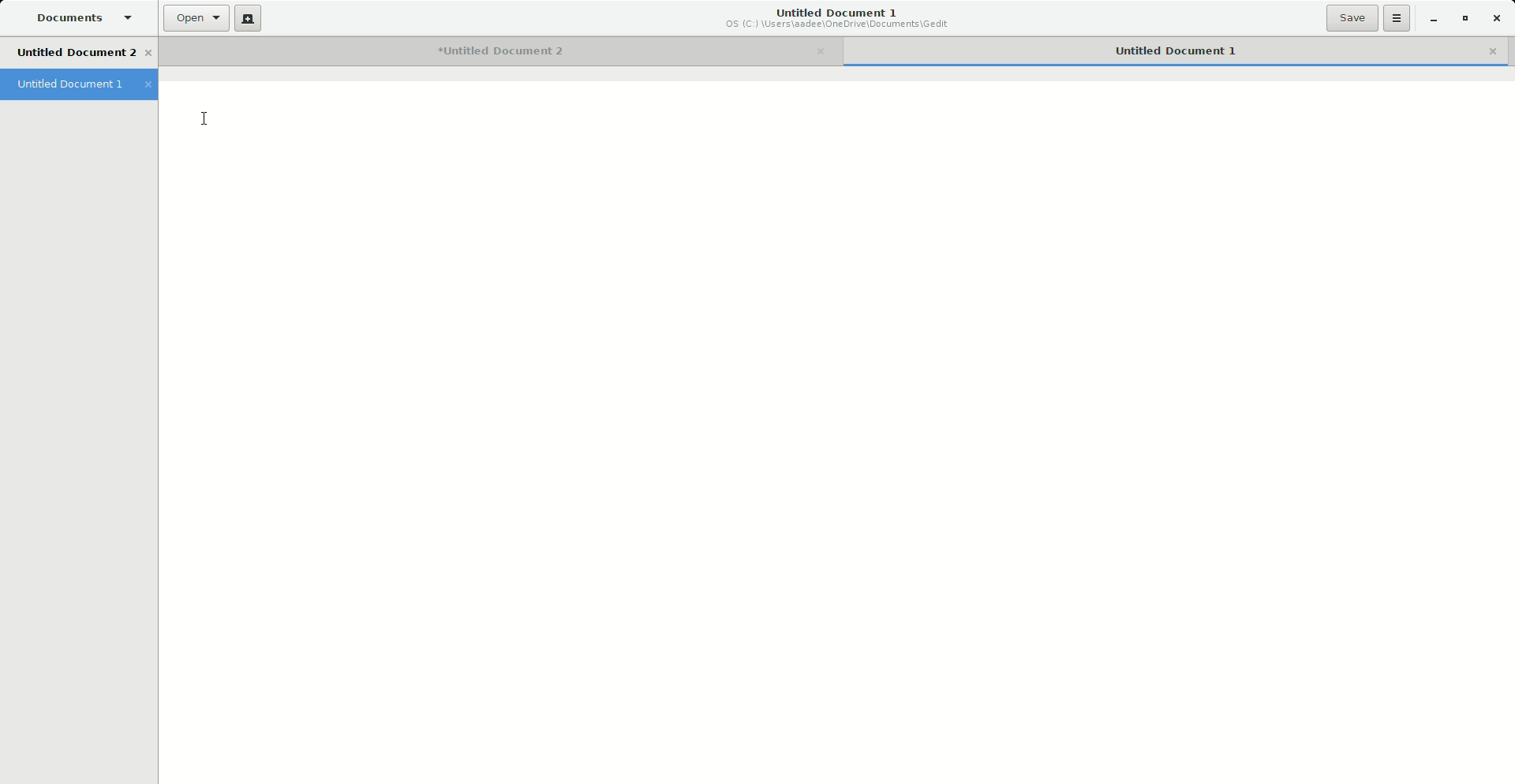  Describe the element at coordinates (77, 15) in the screenshot. I see `Documents` at that location.